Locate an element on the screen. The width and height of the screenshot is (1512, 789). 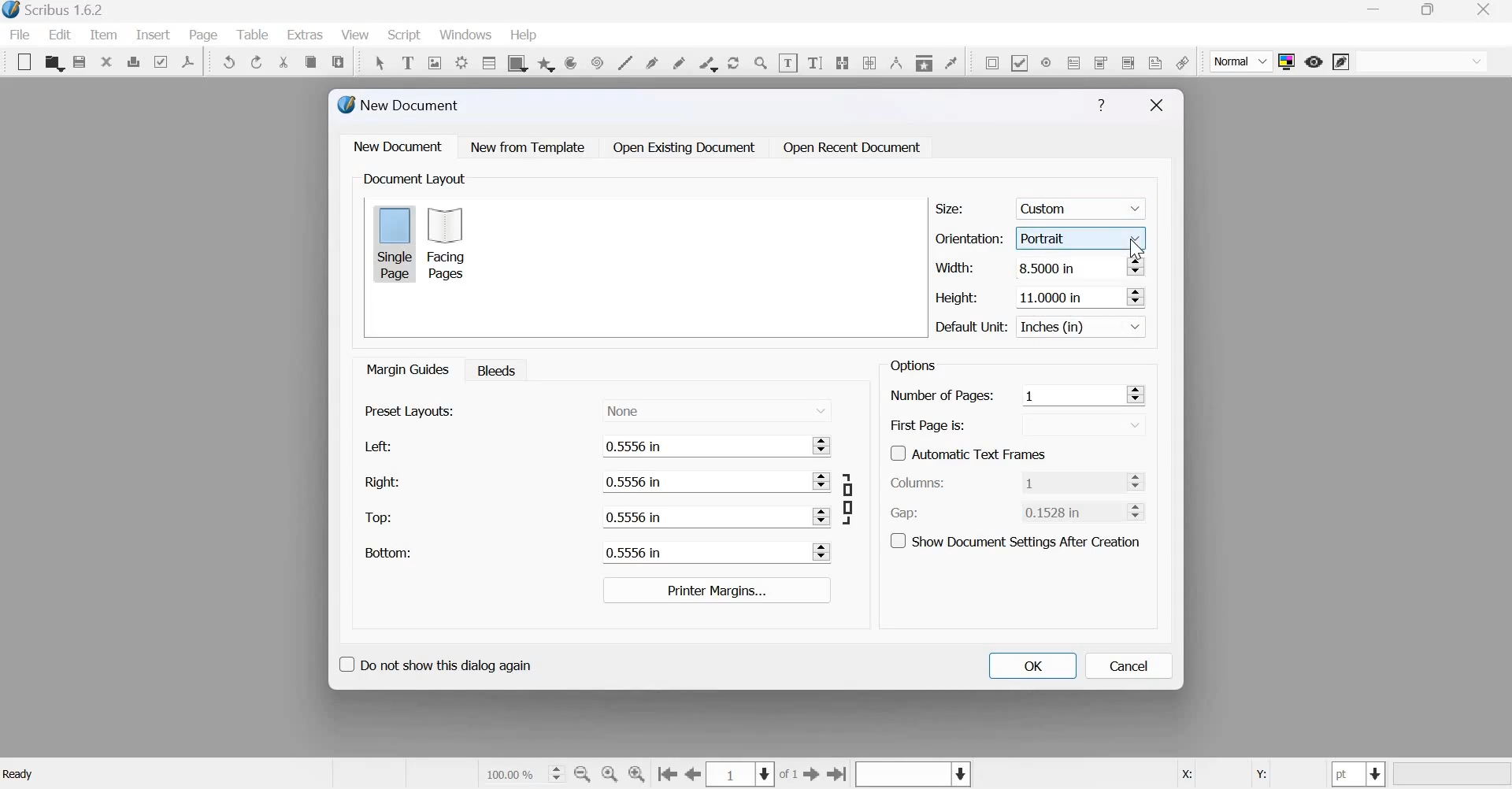
Document Layout is located at coordinates (413, 179).